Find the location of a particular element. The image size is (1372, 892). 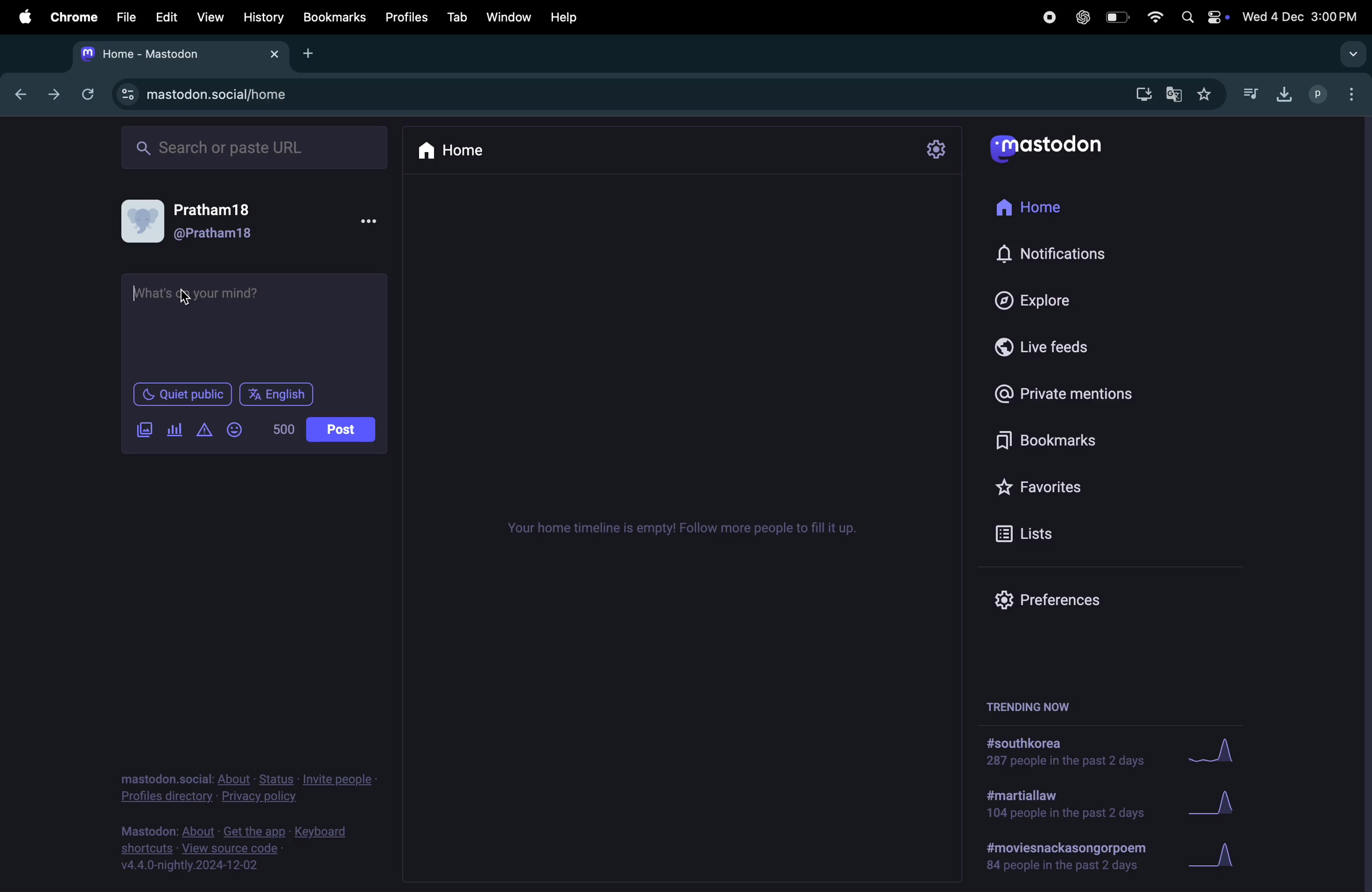

profiles is located at coordinates (1331, 95).